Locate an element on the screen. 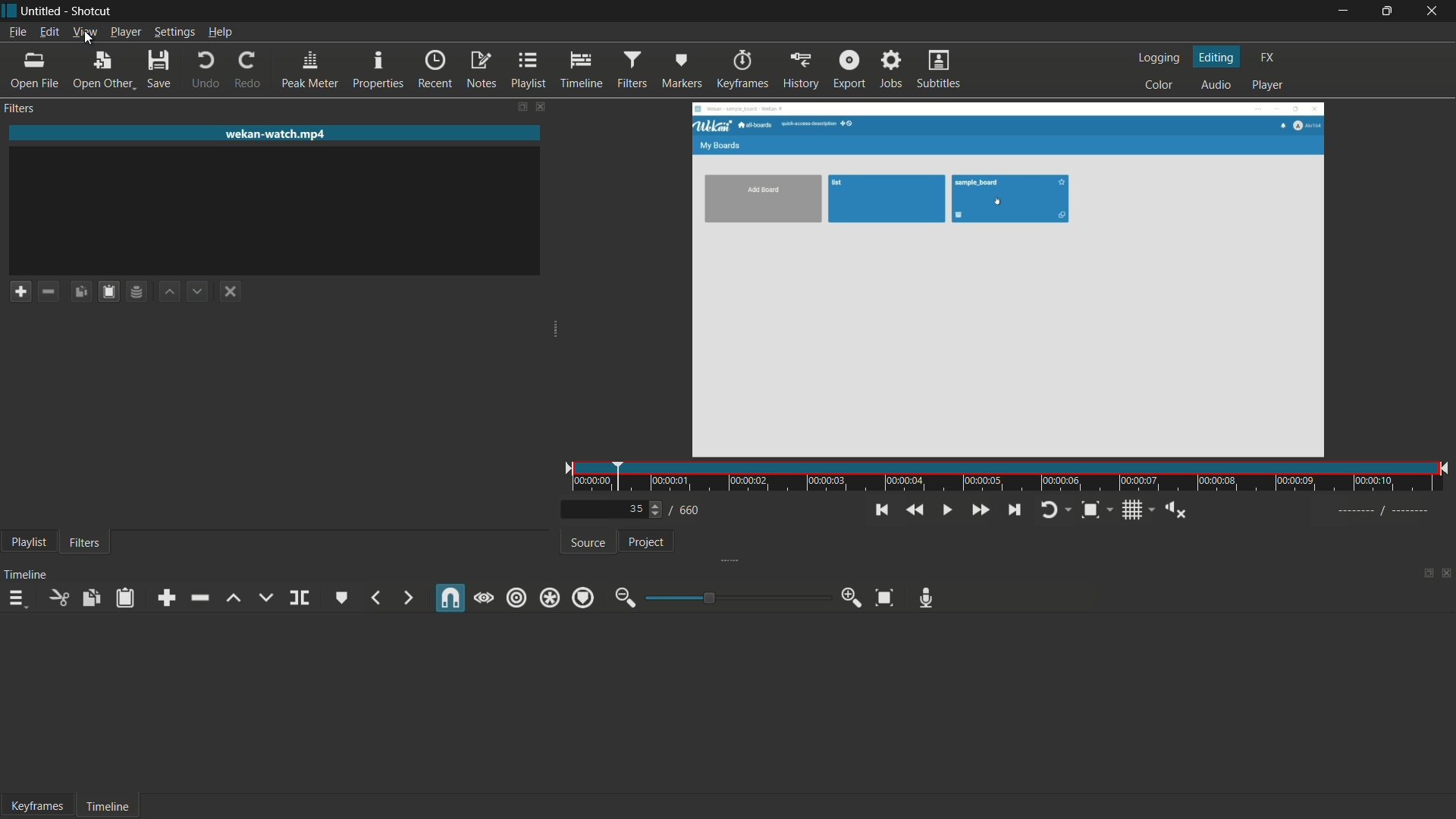  copy is located at coordinates (92, 598).